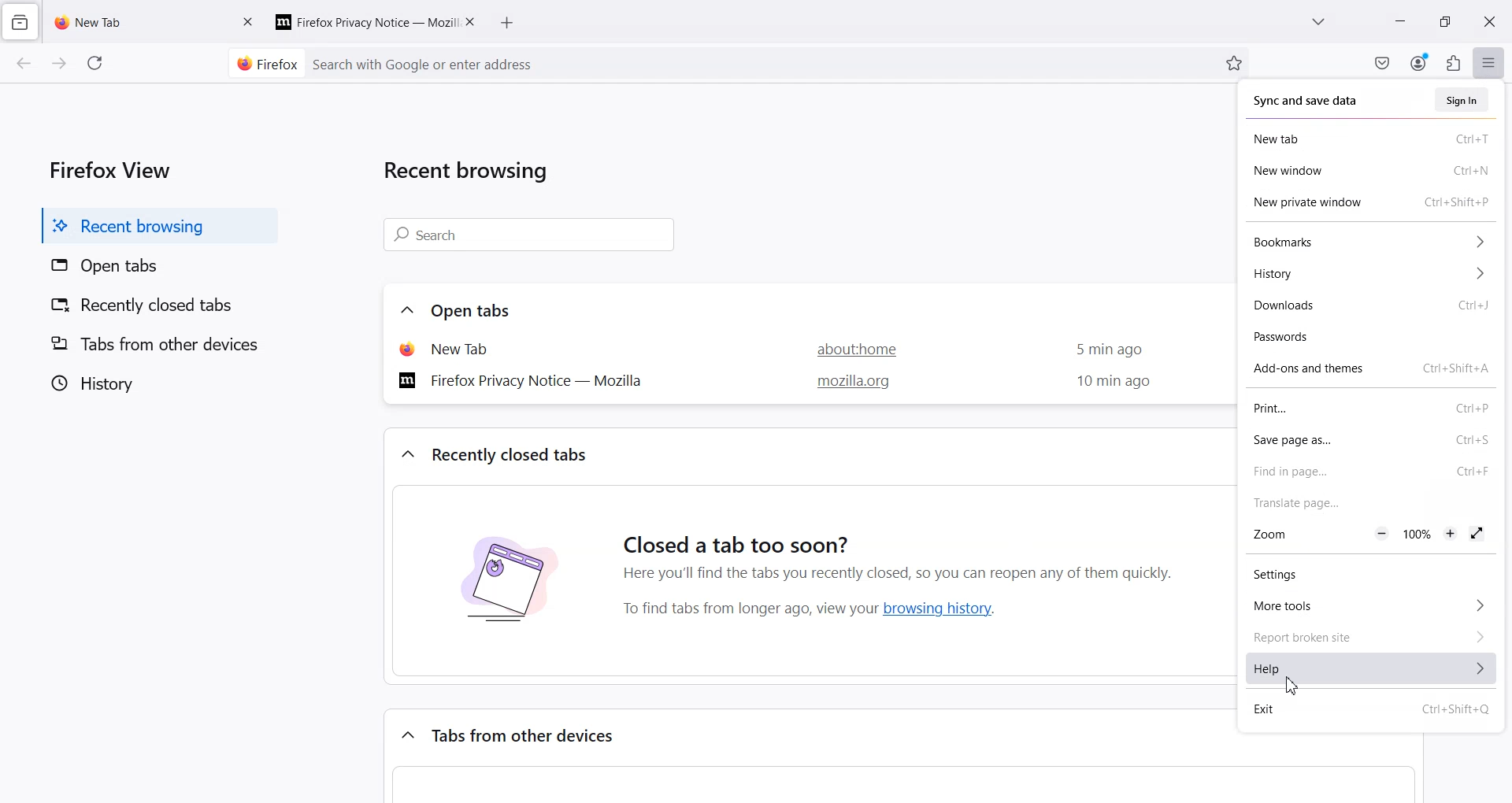  Describe the element at coordinates (1401, 21) in the screenshot. I see `Minimize` at that location.